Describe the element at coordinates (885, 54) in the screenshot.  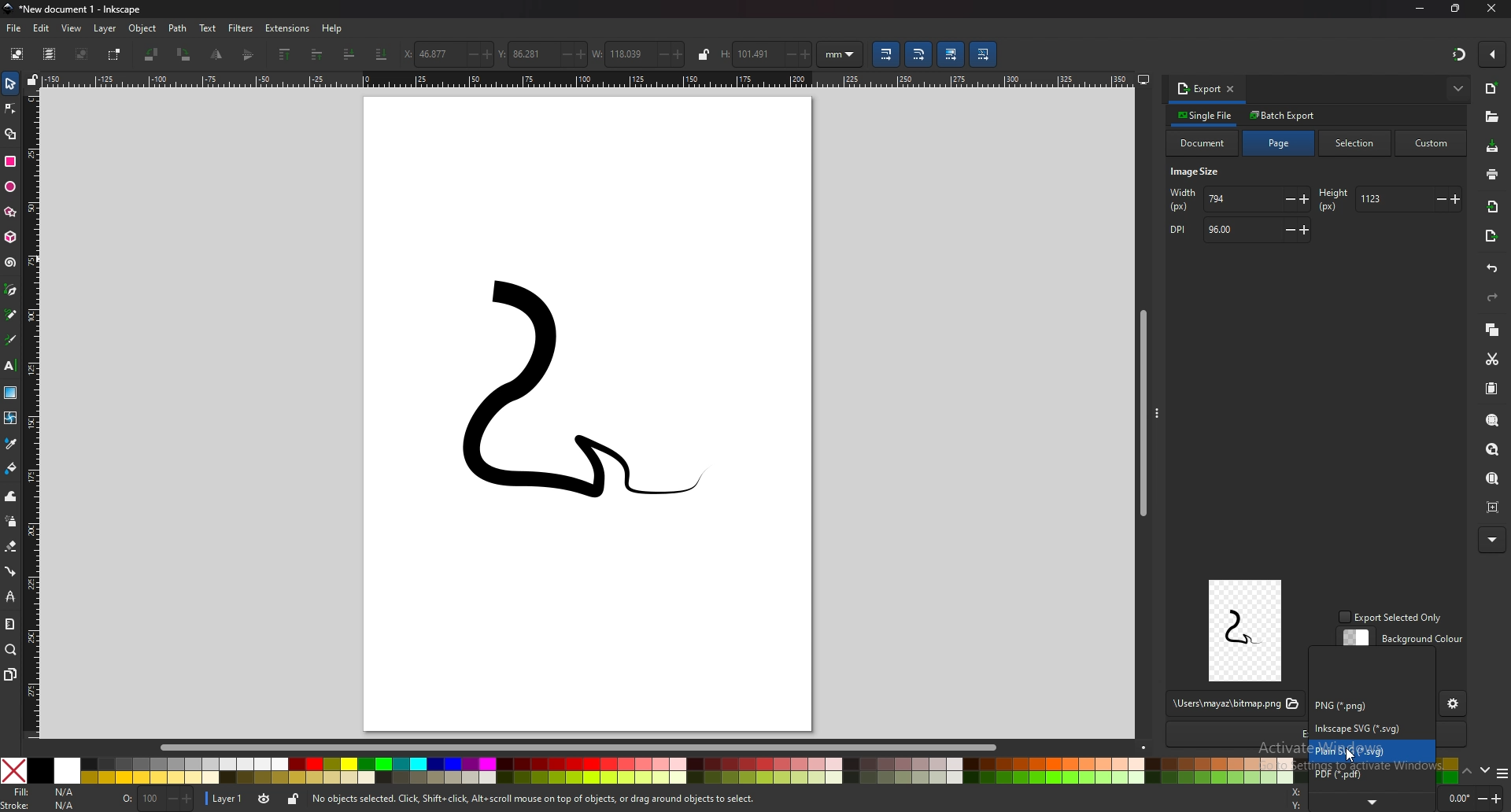
I see `scale stroke` at that location.